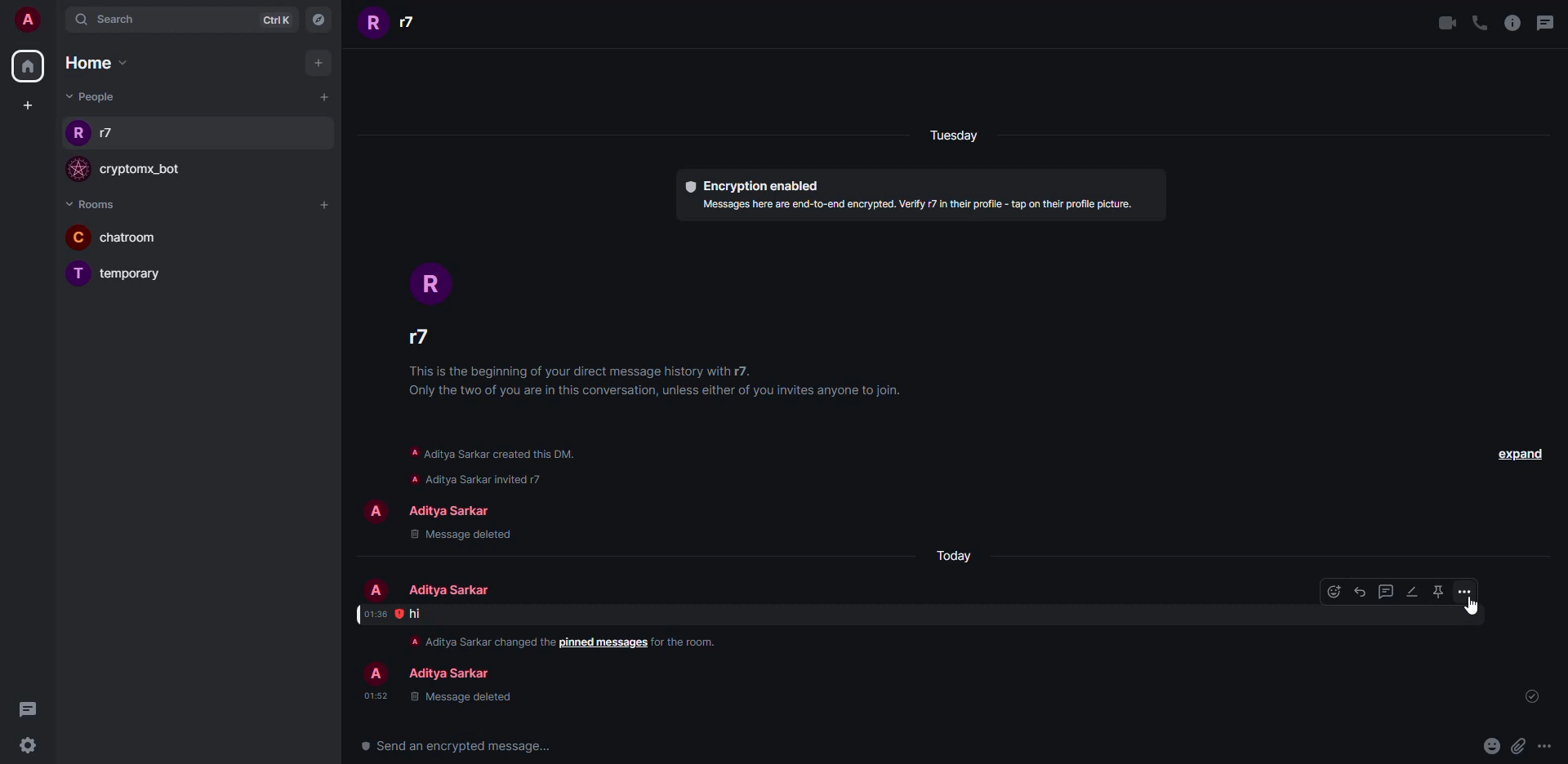 The image size is (1568, 764). Describe the element at coordinates (316, 23) in the screenshot. I see `navigator` at that location.